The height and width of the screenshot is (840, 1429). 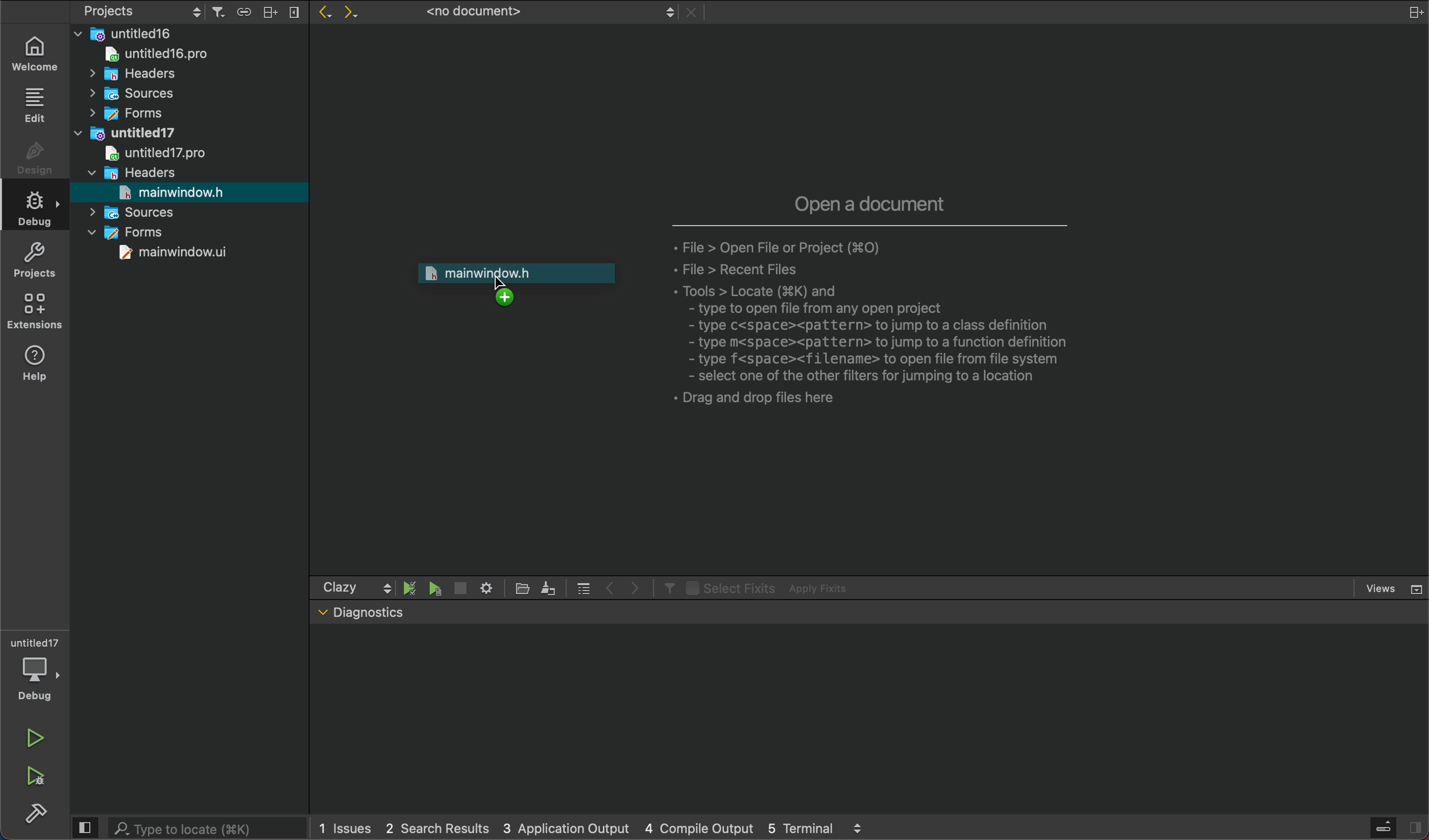 What do you see at coordinates (151, 53) in the screenshot?
I see `untitled16.pro` at bounding box center [151, 53].